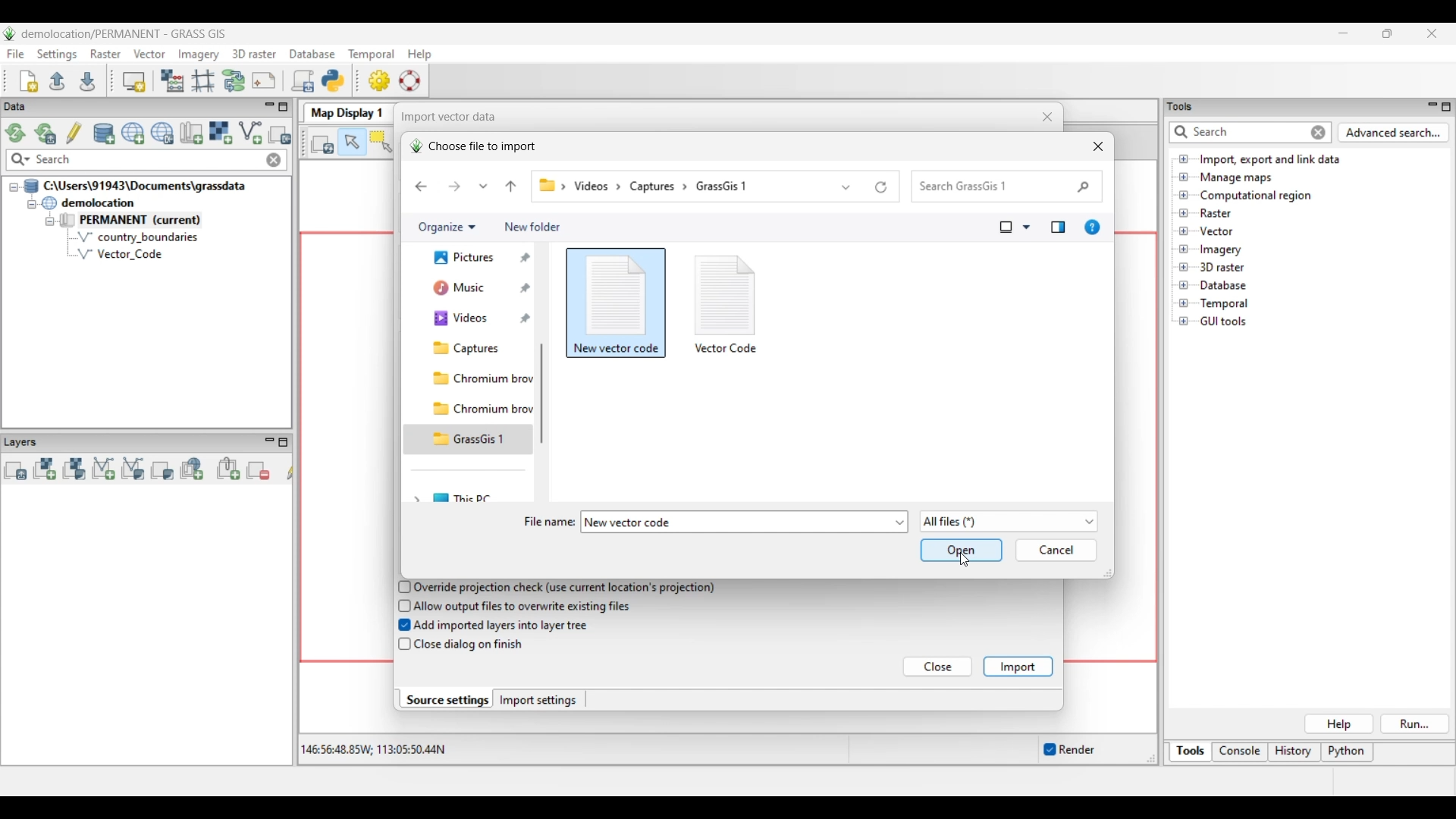  Describe the element at coordinates (57, 55) in the screenshot. I see `Settings menu` at that location.